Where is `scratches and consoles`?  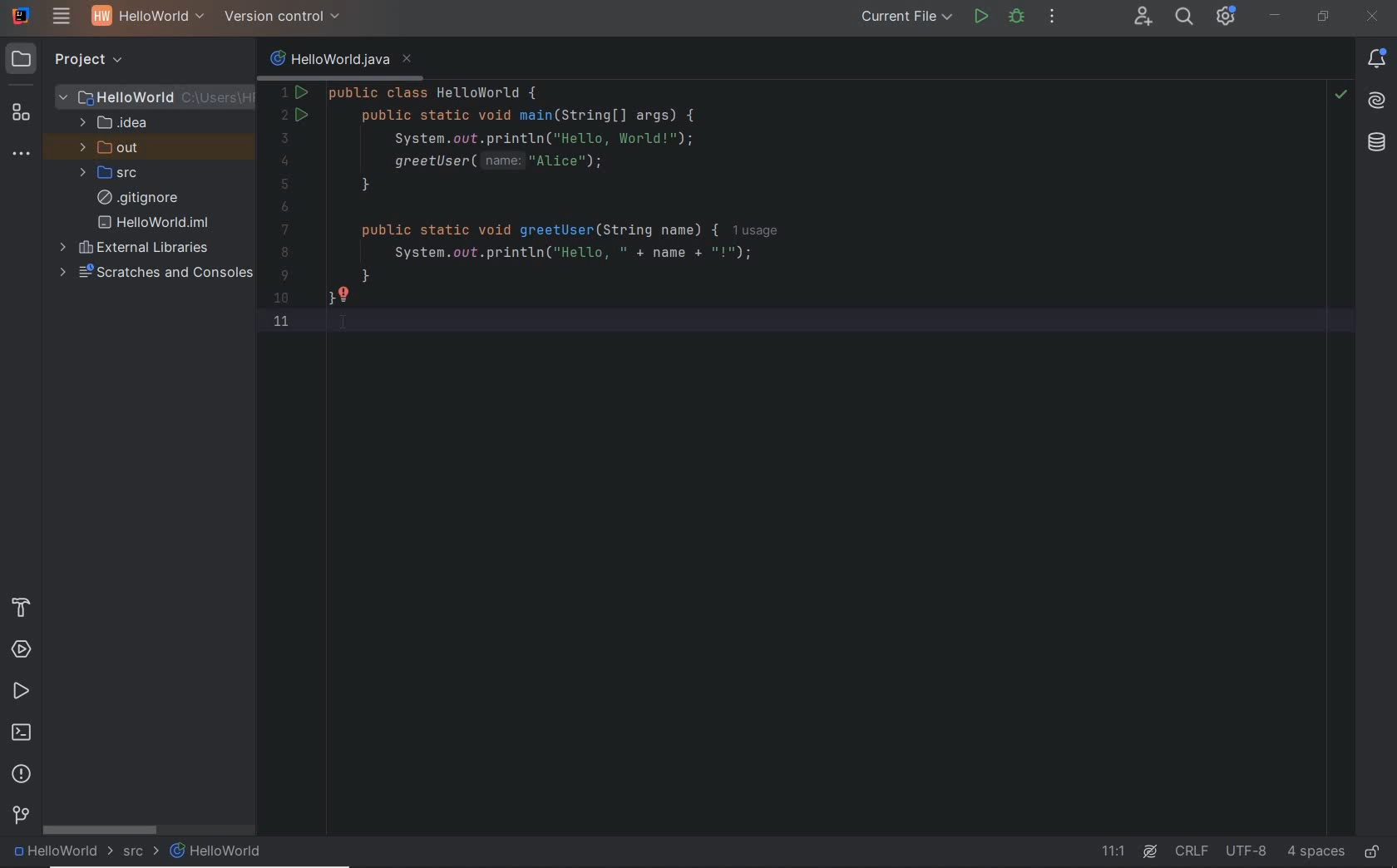 scratches and consoles is located at coordinates (155, 274).